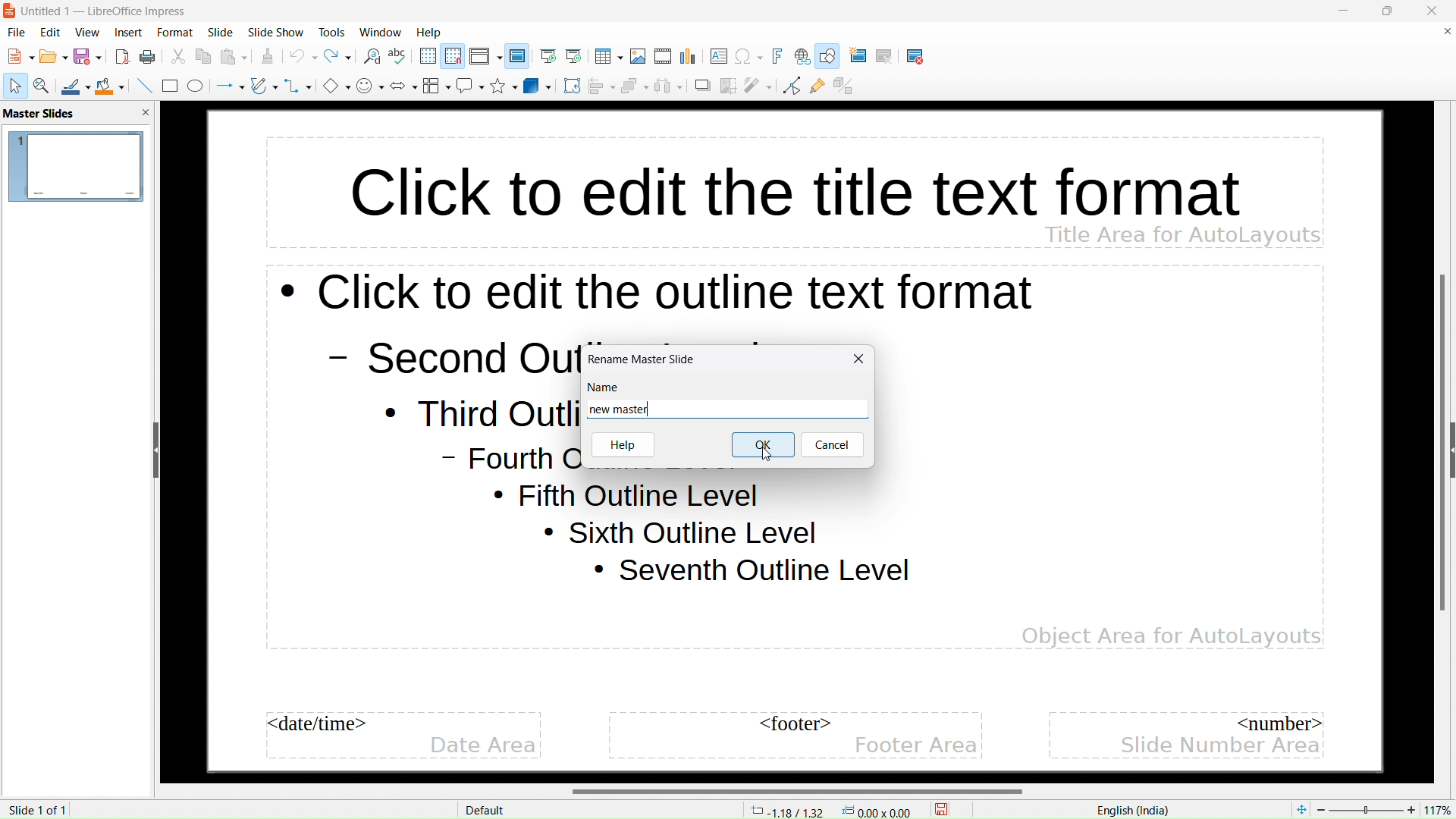 The width and height of the screenshot is (1456, 819). Describe the element at coordinates (769, 457) in the screenshot. I see `cursor` at that location.